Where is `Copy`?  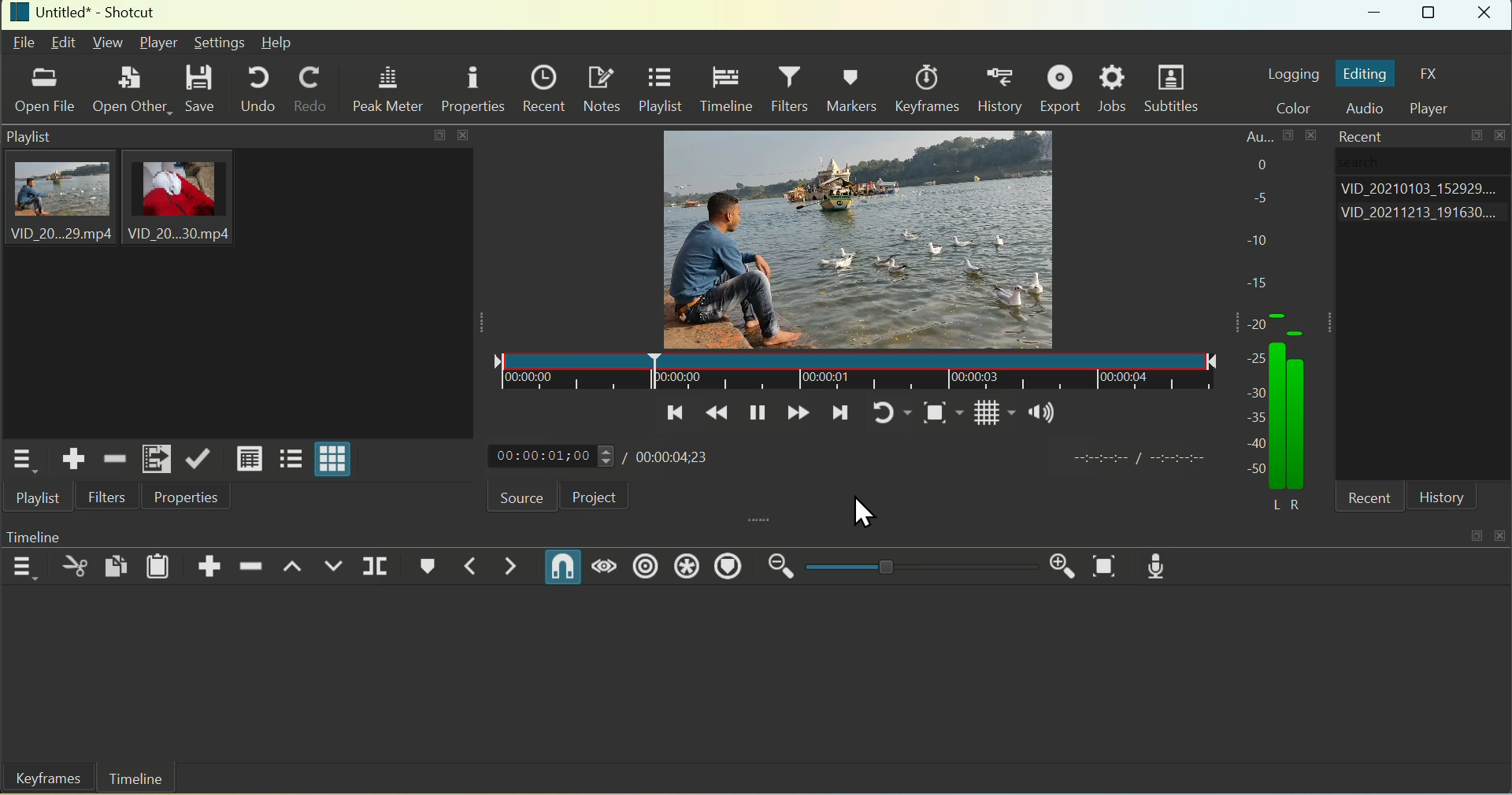
Copy is located at coordinates (118, 564).